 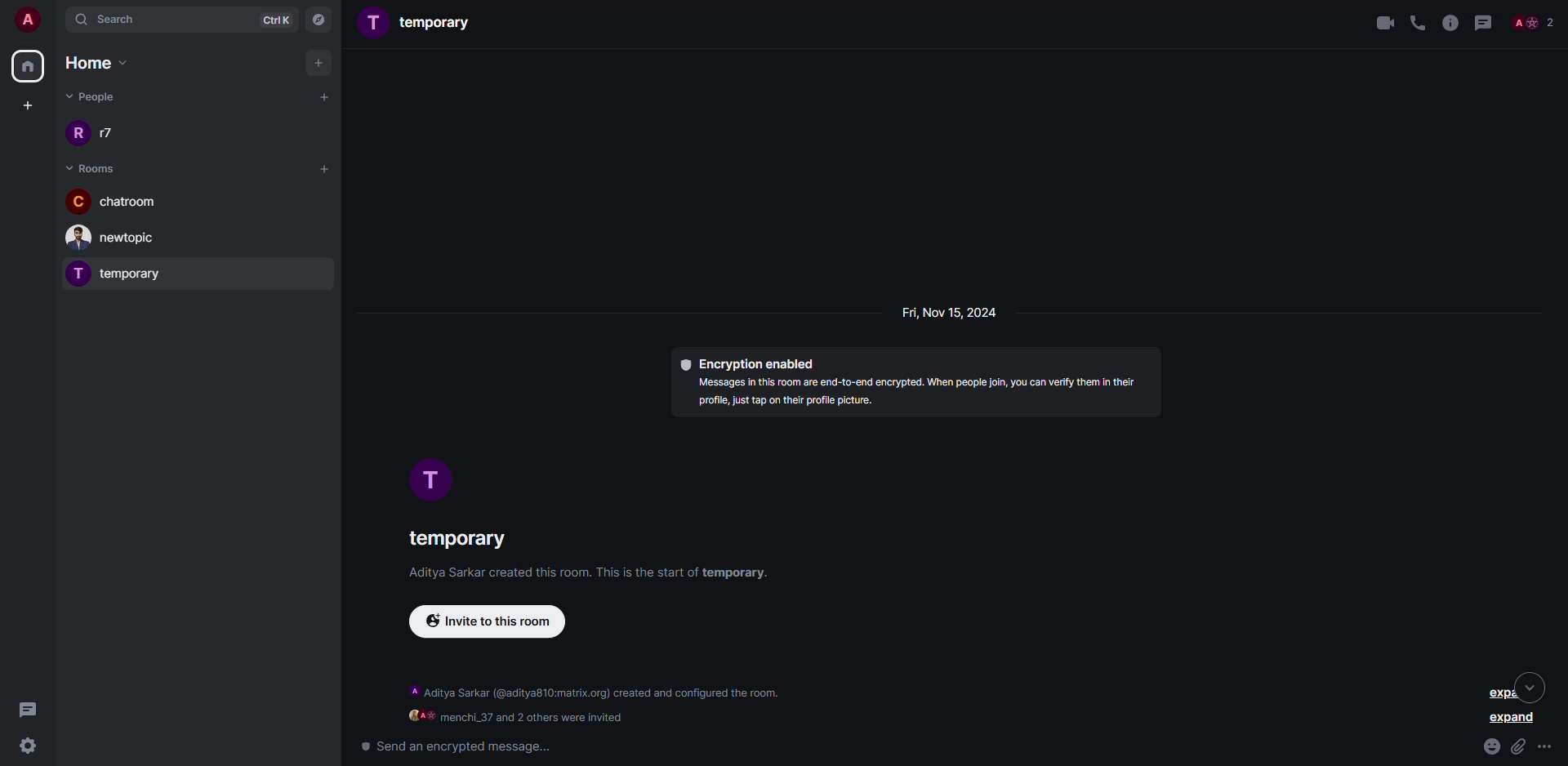 I want to click on add, so click(x=320, y=62).